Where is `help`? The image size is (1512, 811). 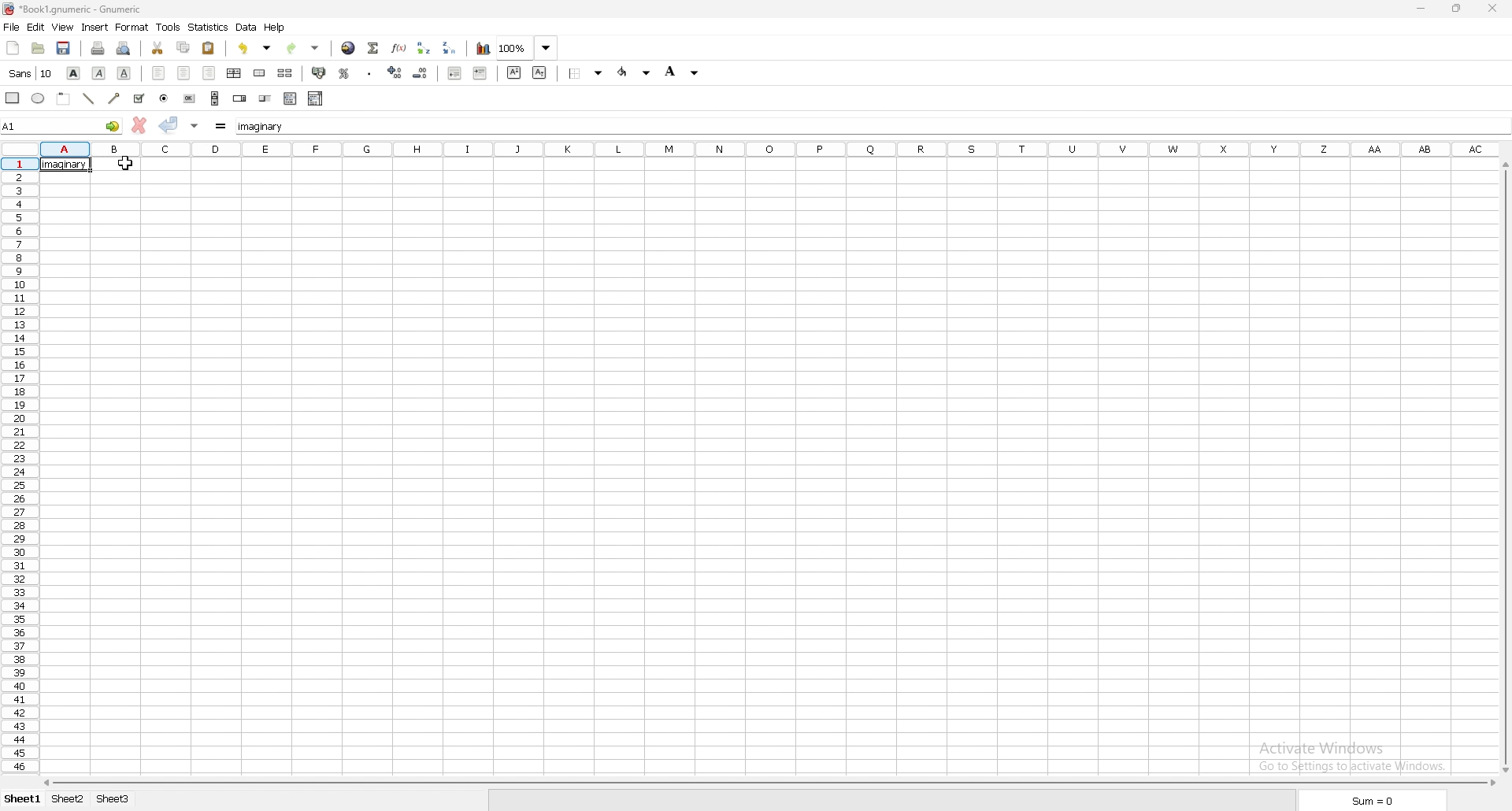
help is located at coordinates (275, 28).